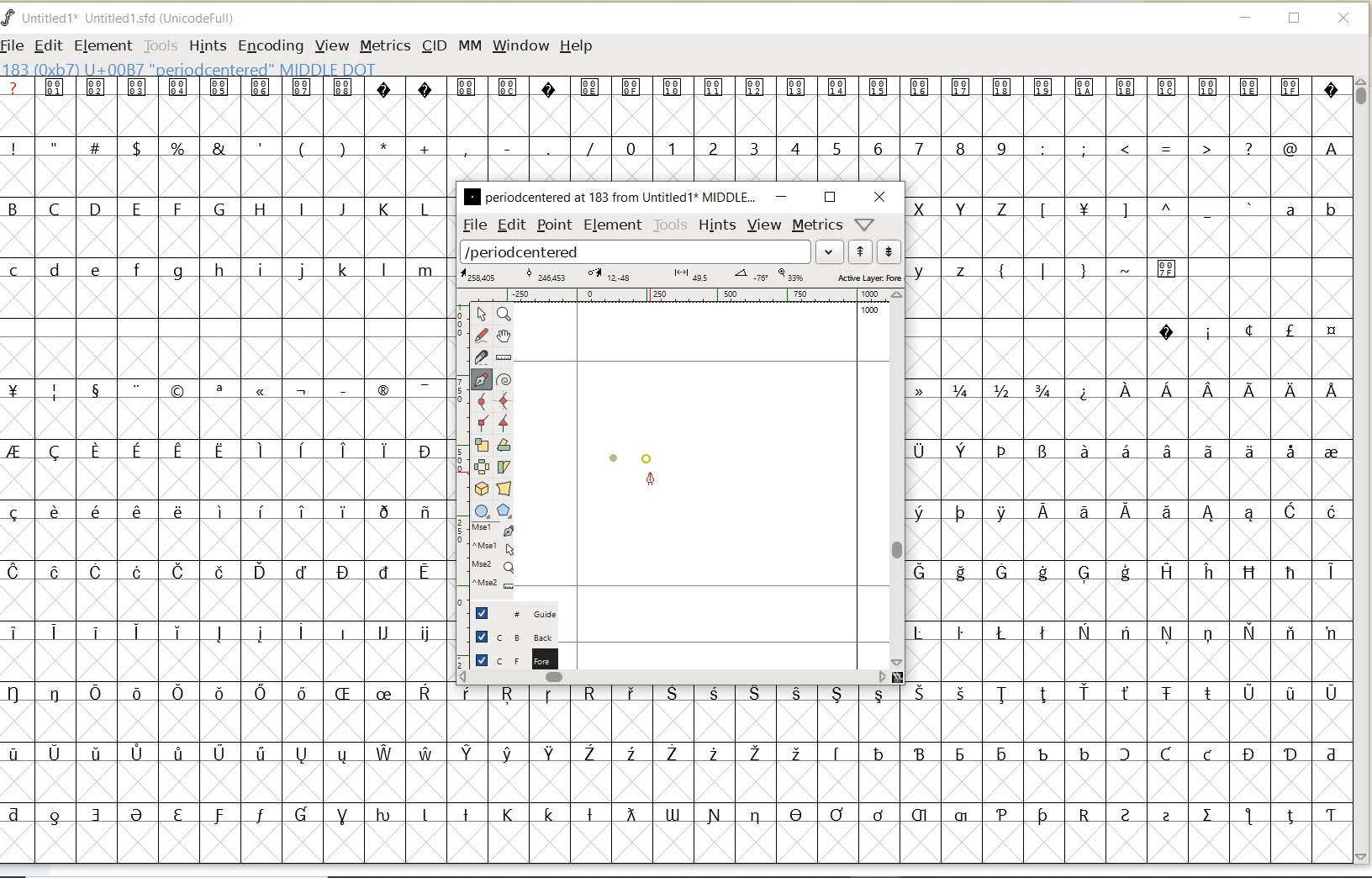  I want to click on lowercase letters, so click(1310, 213).